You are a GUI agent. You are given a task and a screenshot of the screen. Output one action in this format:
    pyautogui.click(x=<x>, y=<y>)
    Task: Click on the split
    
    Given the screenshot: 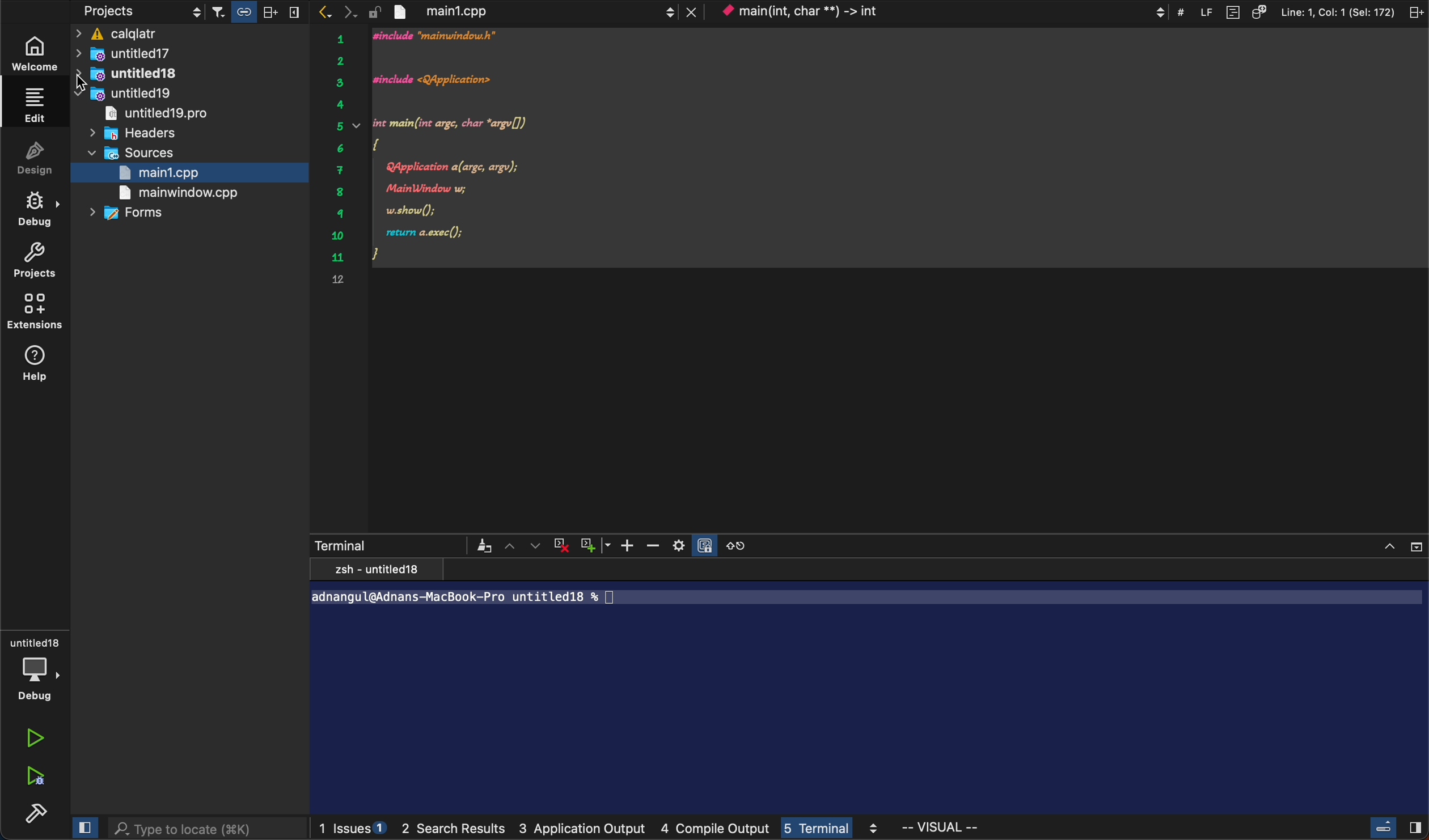 What is the action you would take?
    pyautogui.click(x=1415, y=12)
    